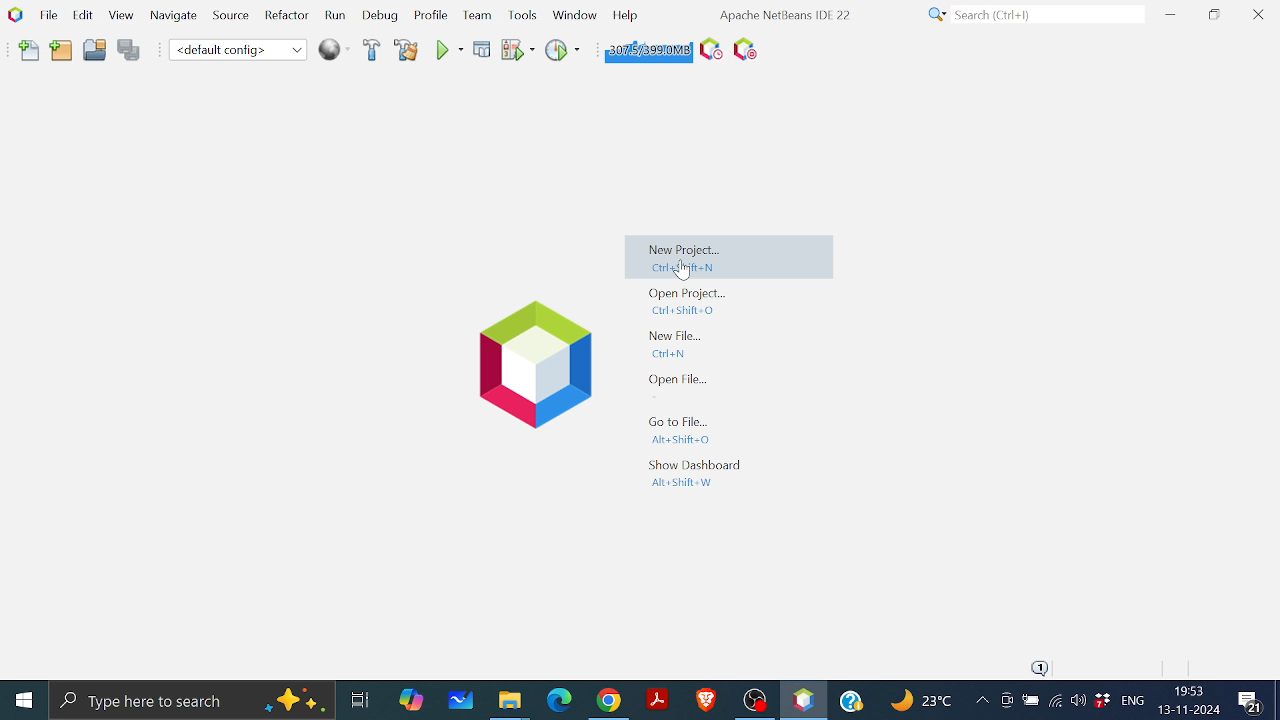 The width and height of the screenshot is (1280, 720). I want to click on languge, so click(1133, 702).